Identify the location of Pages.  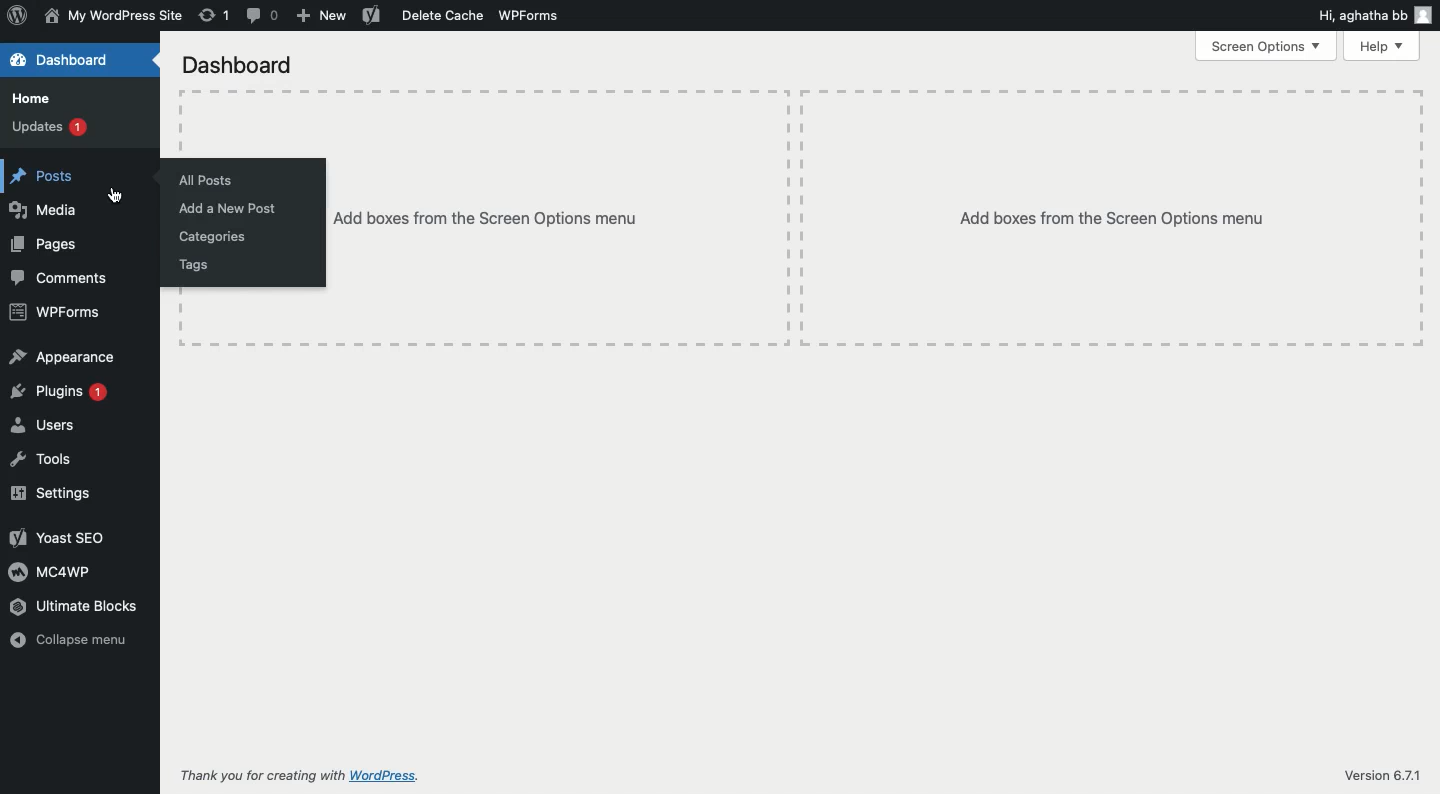
(44, 245).